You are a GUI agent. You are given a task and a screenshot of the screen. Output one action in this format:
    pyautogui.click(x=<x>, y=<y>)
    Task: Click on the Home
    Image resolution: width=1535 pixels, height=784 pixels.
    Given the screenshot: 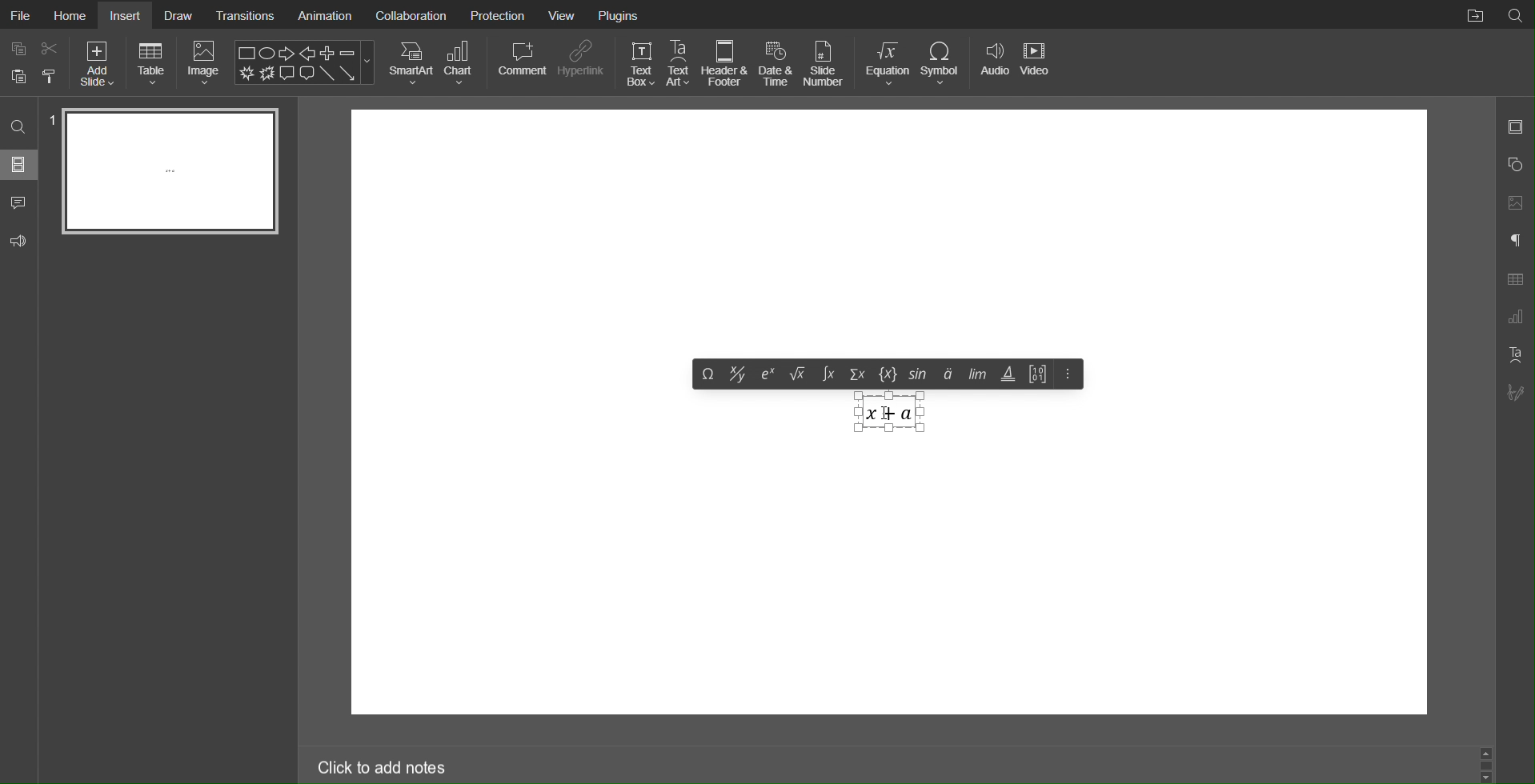 What is the action you would take?
    pyautogui.click(x=71, y=16)
    